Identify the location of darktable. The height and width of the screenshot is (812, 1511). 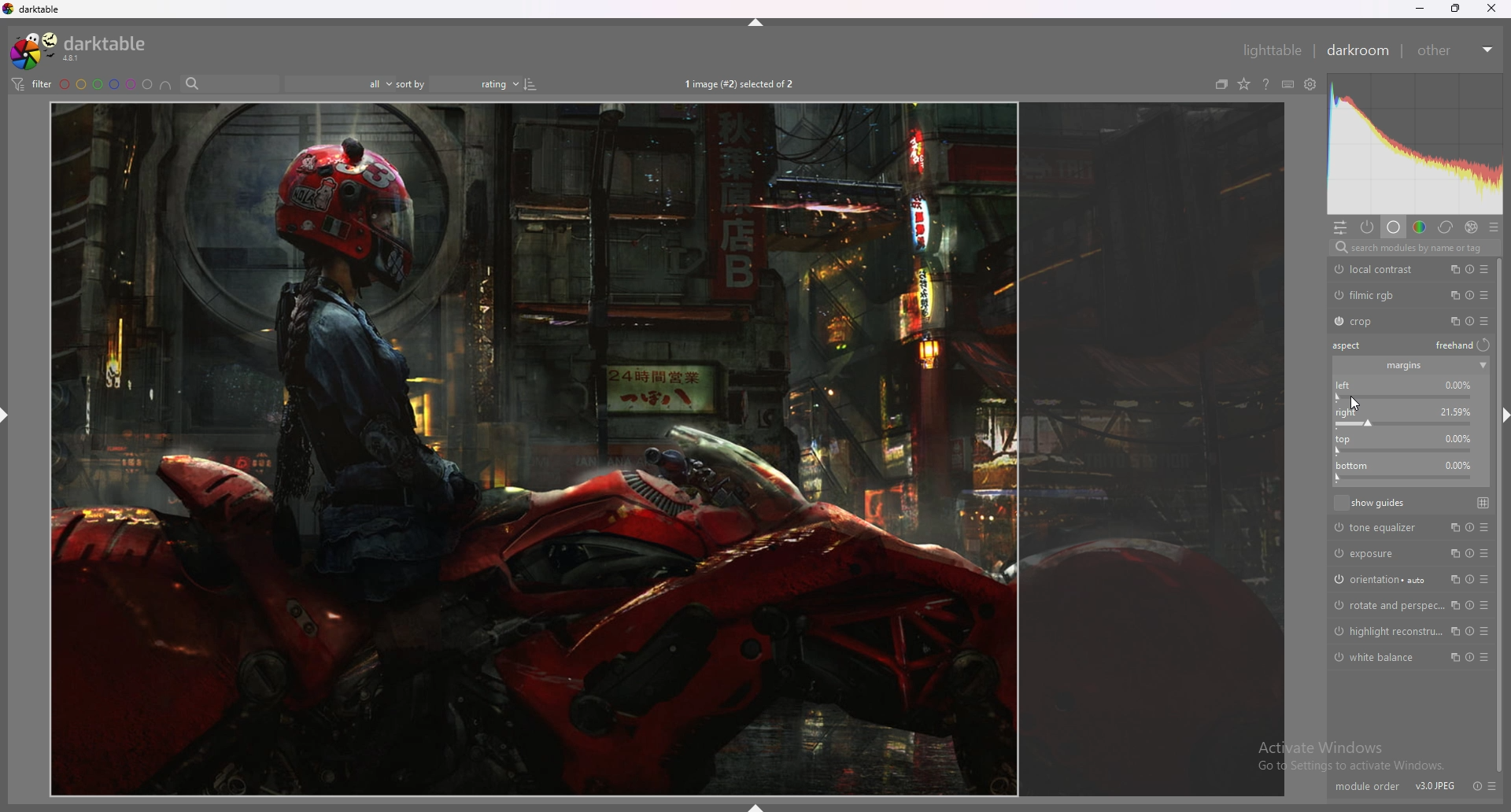
(82, 50).